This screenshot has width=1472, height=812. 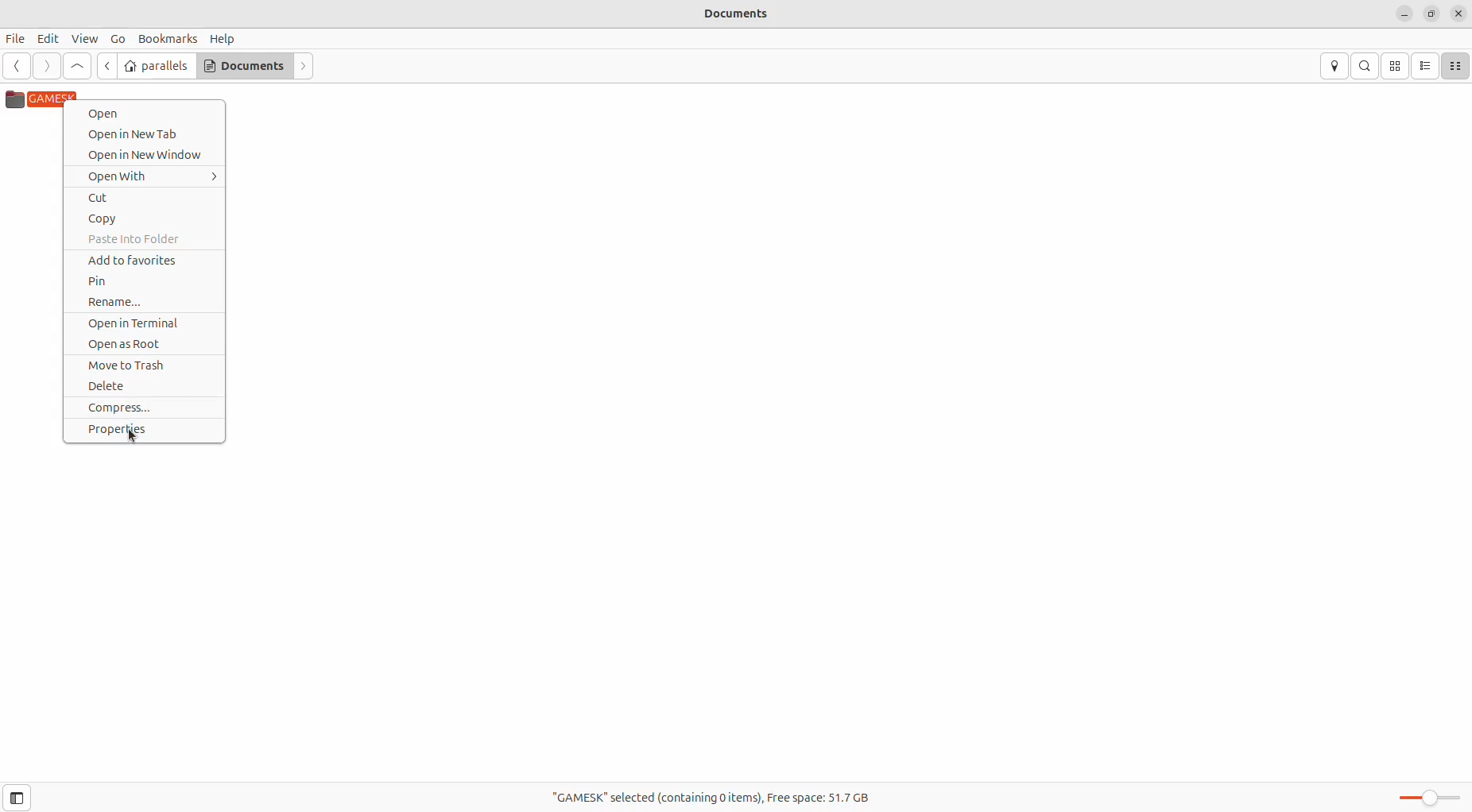 What do you see at coordinates (119, 40) in the screenshot?
I see `Go` at bounding box center [119, 40].